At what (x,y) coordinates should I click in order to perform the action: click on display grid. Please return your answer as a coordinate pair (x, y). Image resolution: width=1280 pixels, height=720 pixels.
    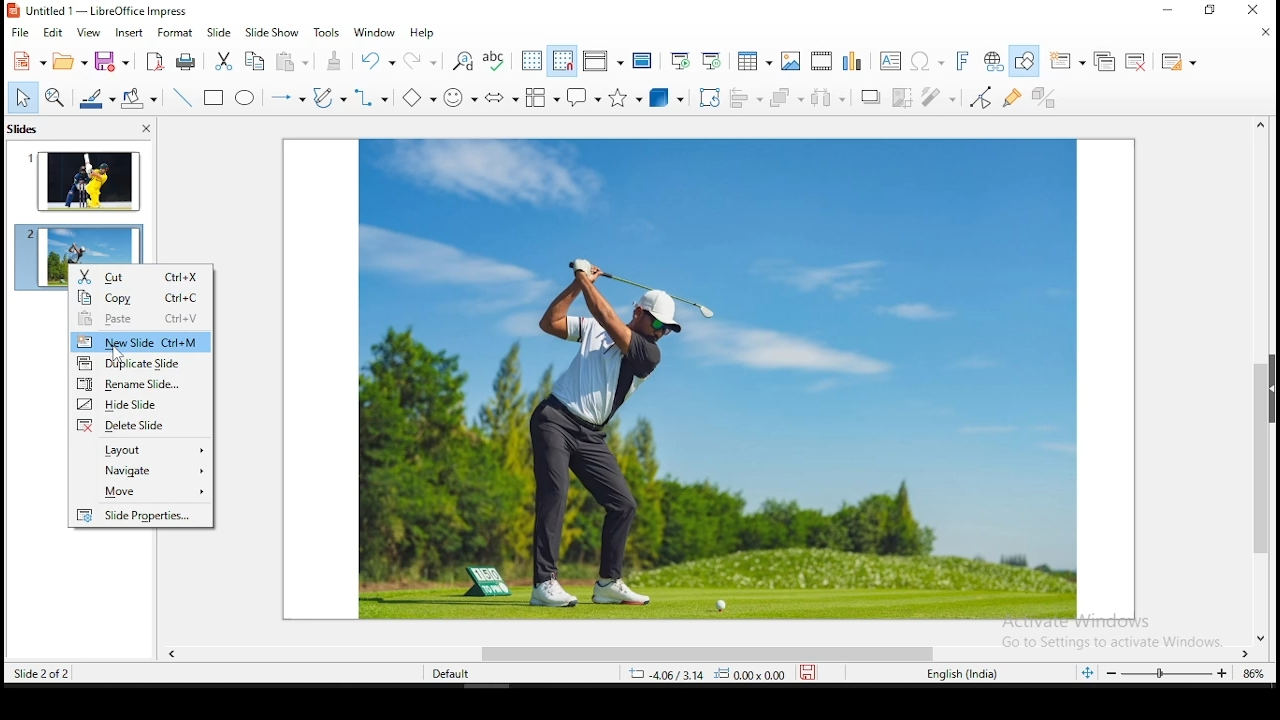
    Looking at the image, I should click on (530, 59).